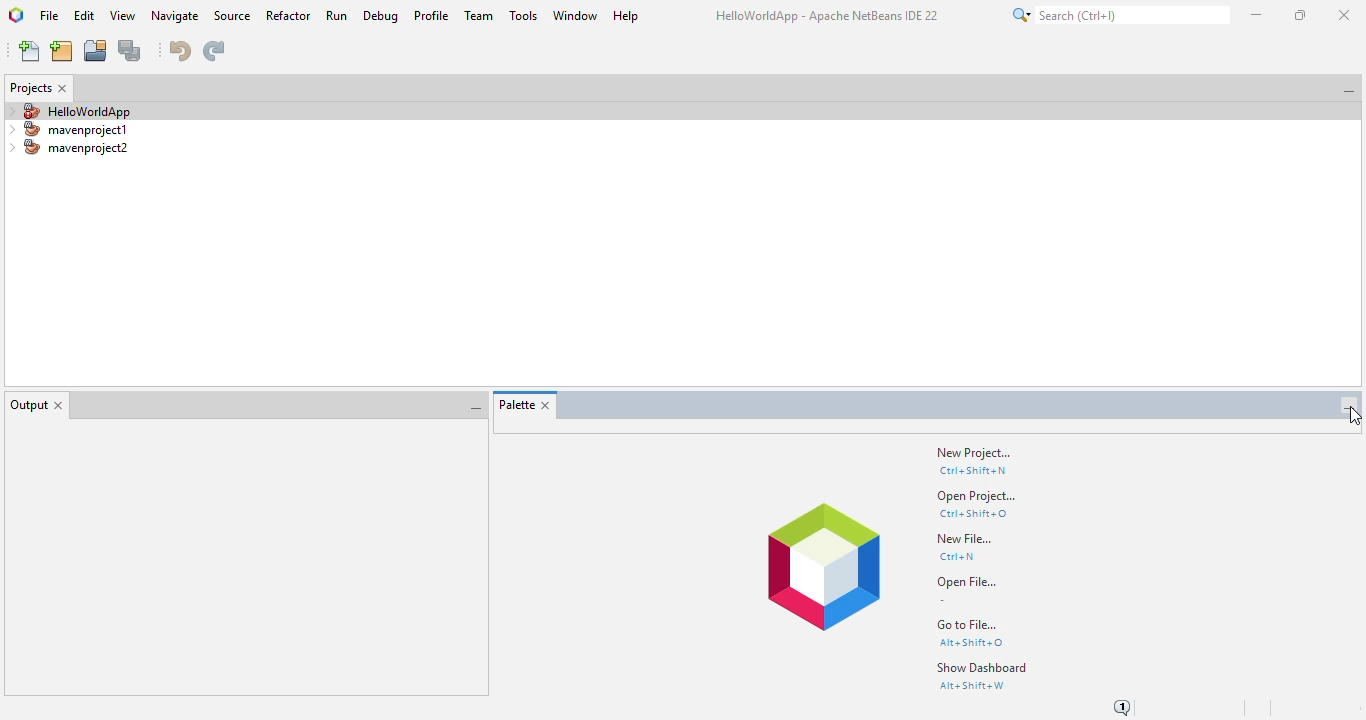 The width and height of the screenshot is (1366, 720). What do you see at coordinates (957, 557) in the screenshot?
I see `shortcut for new file` at bounding box center [957, 557].